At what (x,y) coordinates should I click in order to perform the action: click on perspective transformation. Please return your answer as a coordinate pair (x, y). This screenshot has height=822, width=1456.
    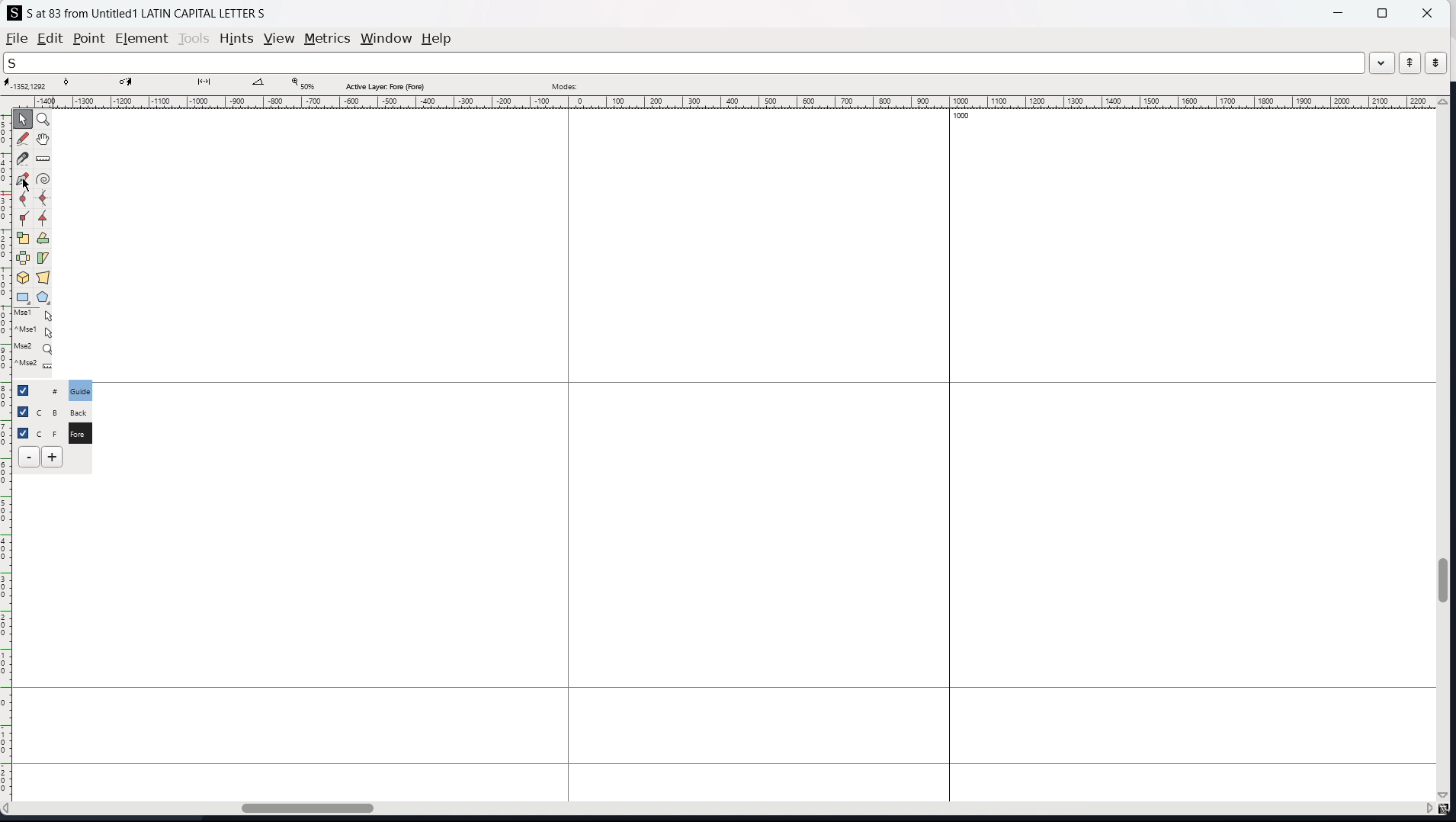
    Looking at the image, I should click on (43, 278).